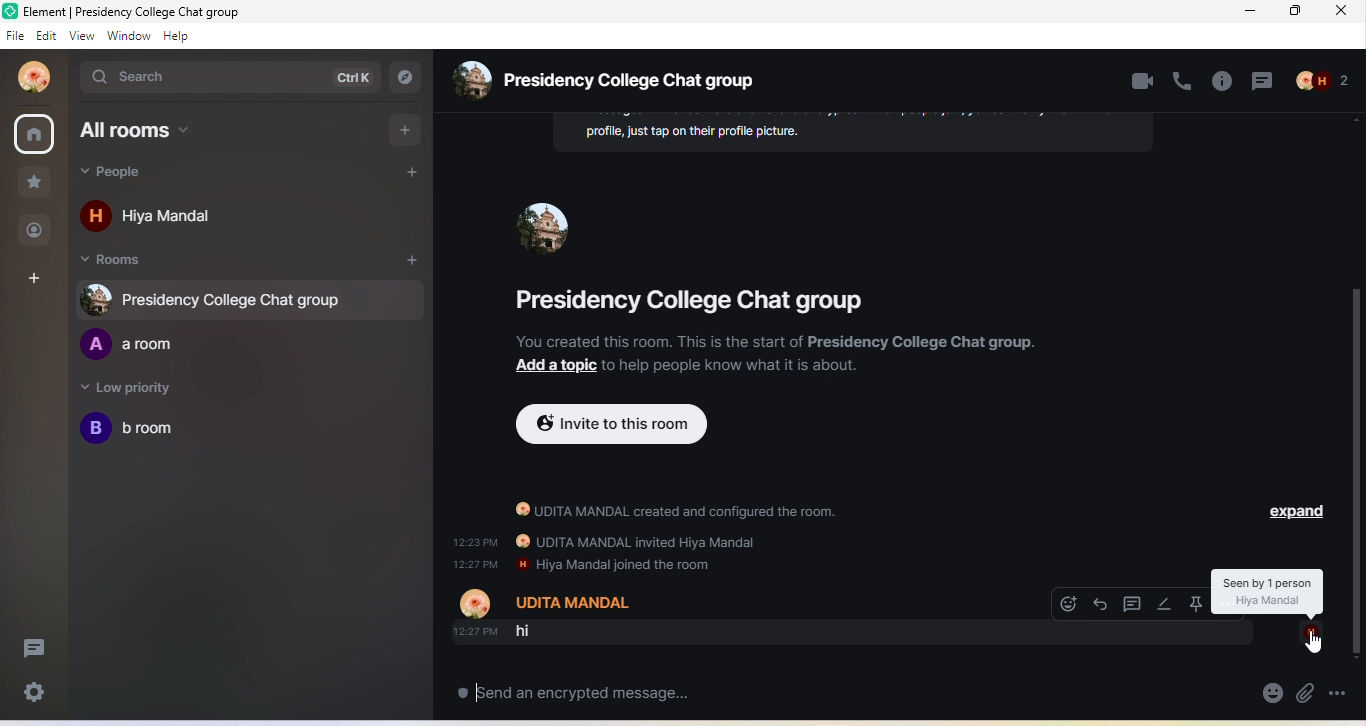  What do you see at coordinates (544, 367) in the screenshot?
I see `Add a topic` at bounding box center [544, 367].